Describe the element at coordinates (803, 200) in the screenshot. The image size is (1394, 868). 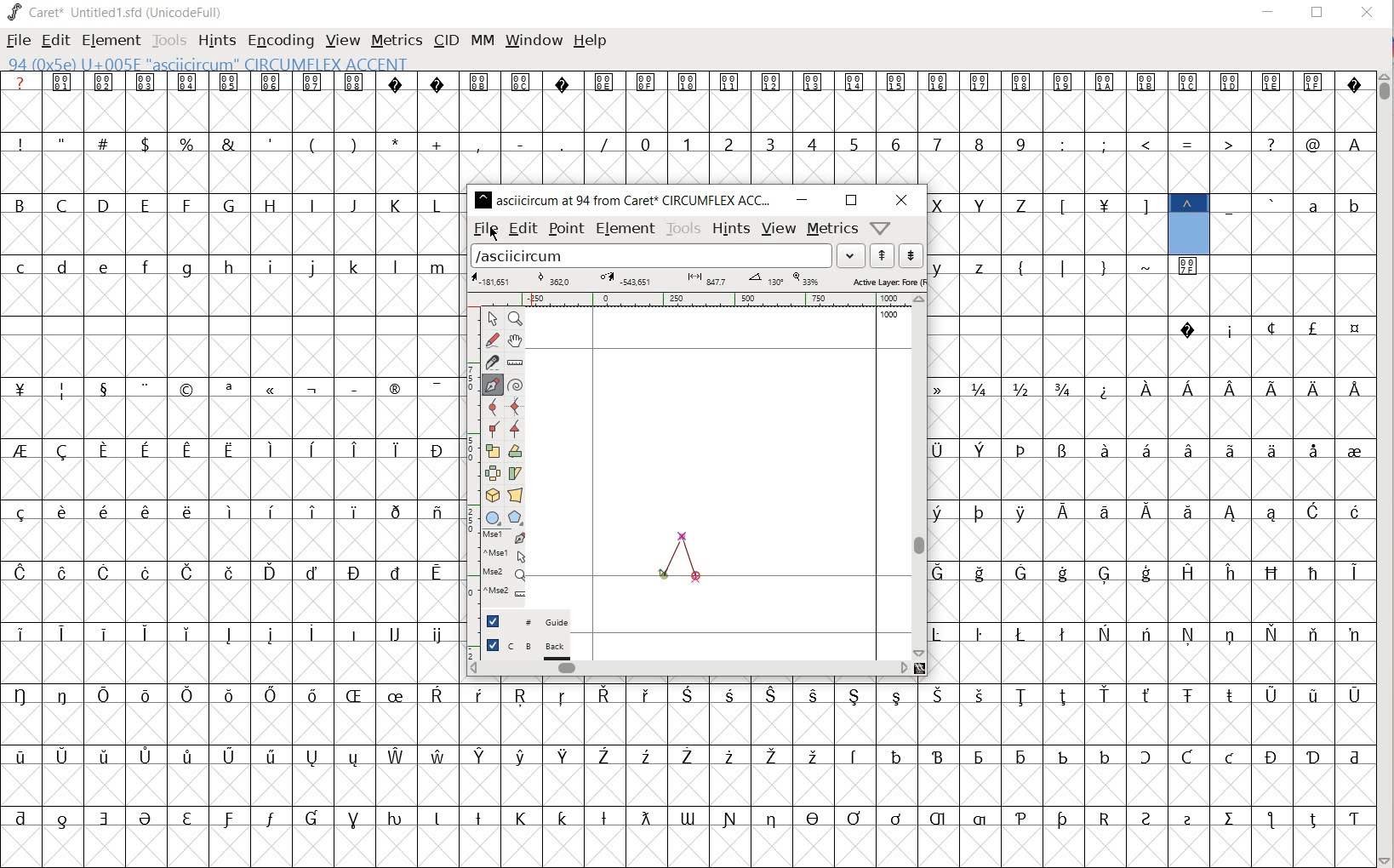
I see `minimize` at that location.